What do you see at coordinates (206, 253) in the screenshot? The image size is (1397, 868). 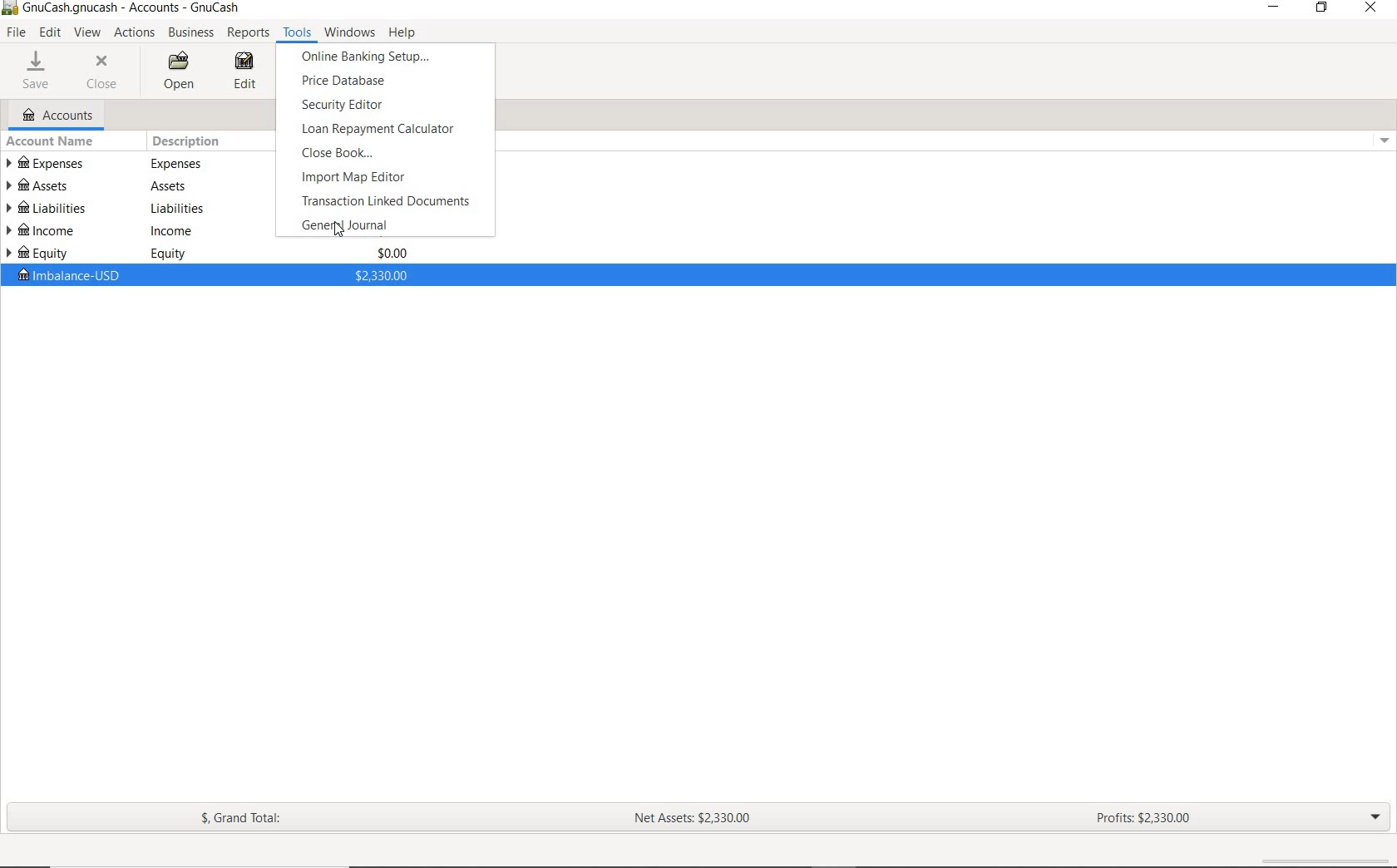 I see `EQUITY` at bounding box center [206, 253].